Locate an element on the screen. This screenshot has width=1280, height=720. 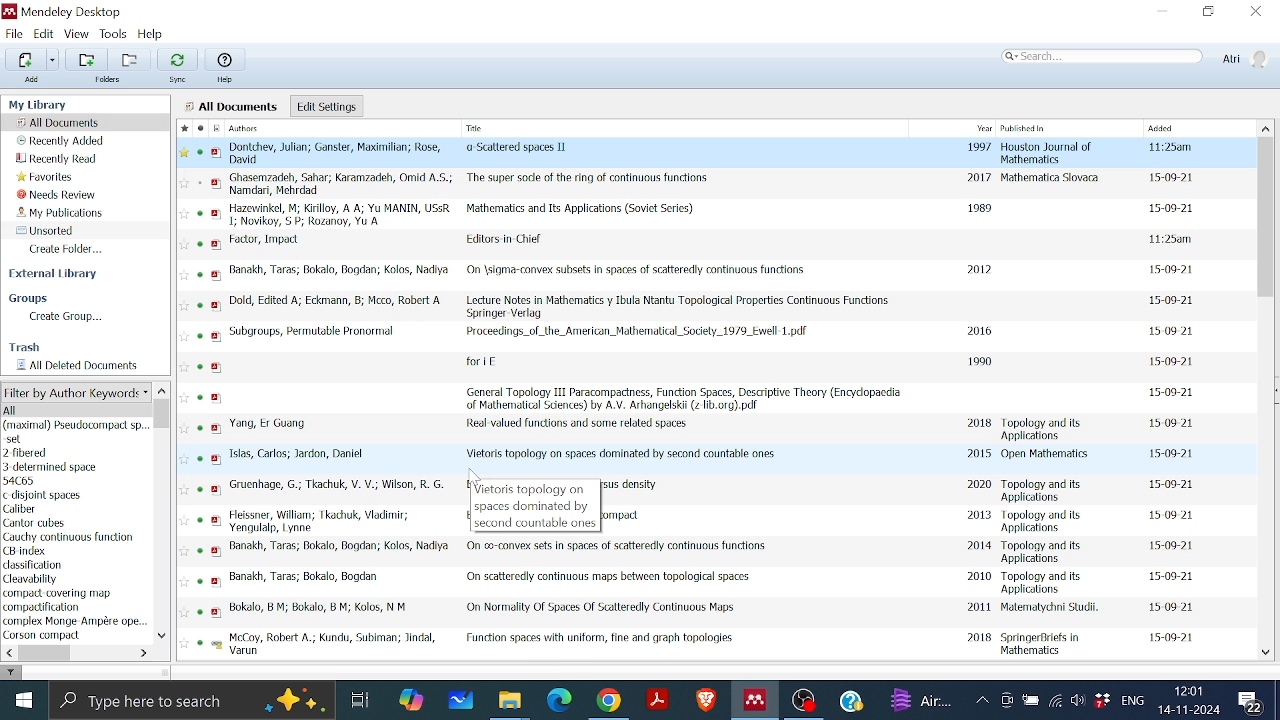
Author is located at coordinates (340, 215).